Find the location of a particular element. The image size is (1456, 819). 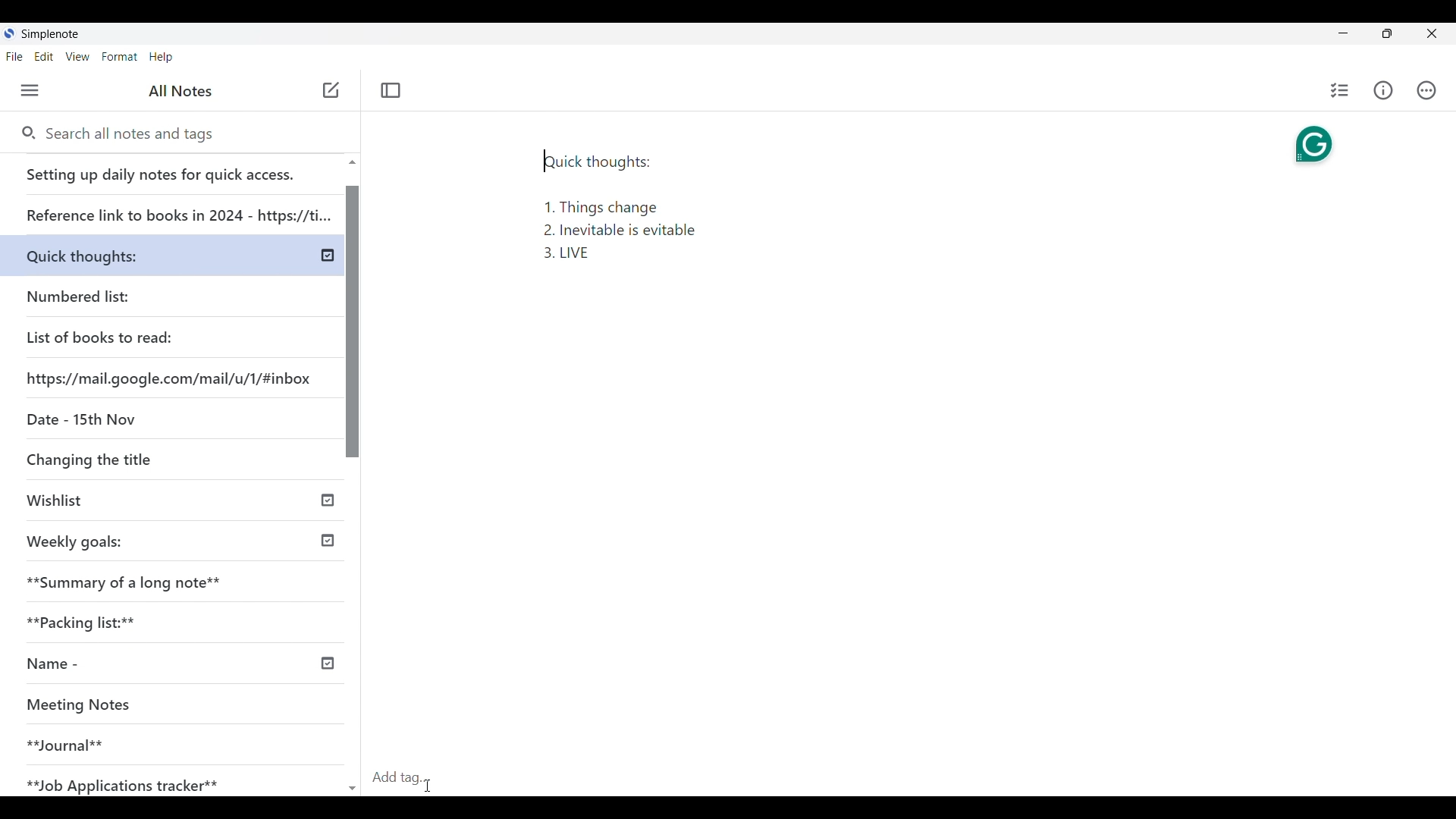

Numbered list is located at coordinates (121, 293).